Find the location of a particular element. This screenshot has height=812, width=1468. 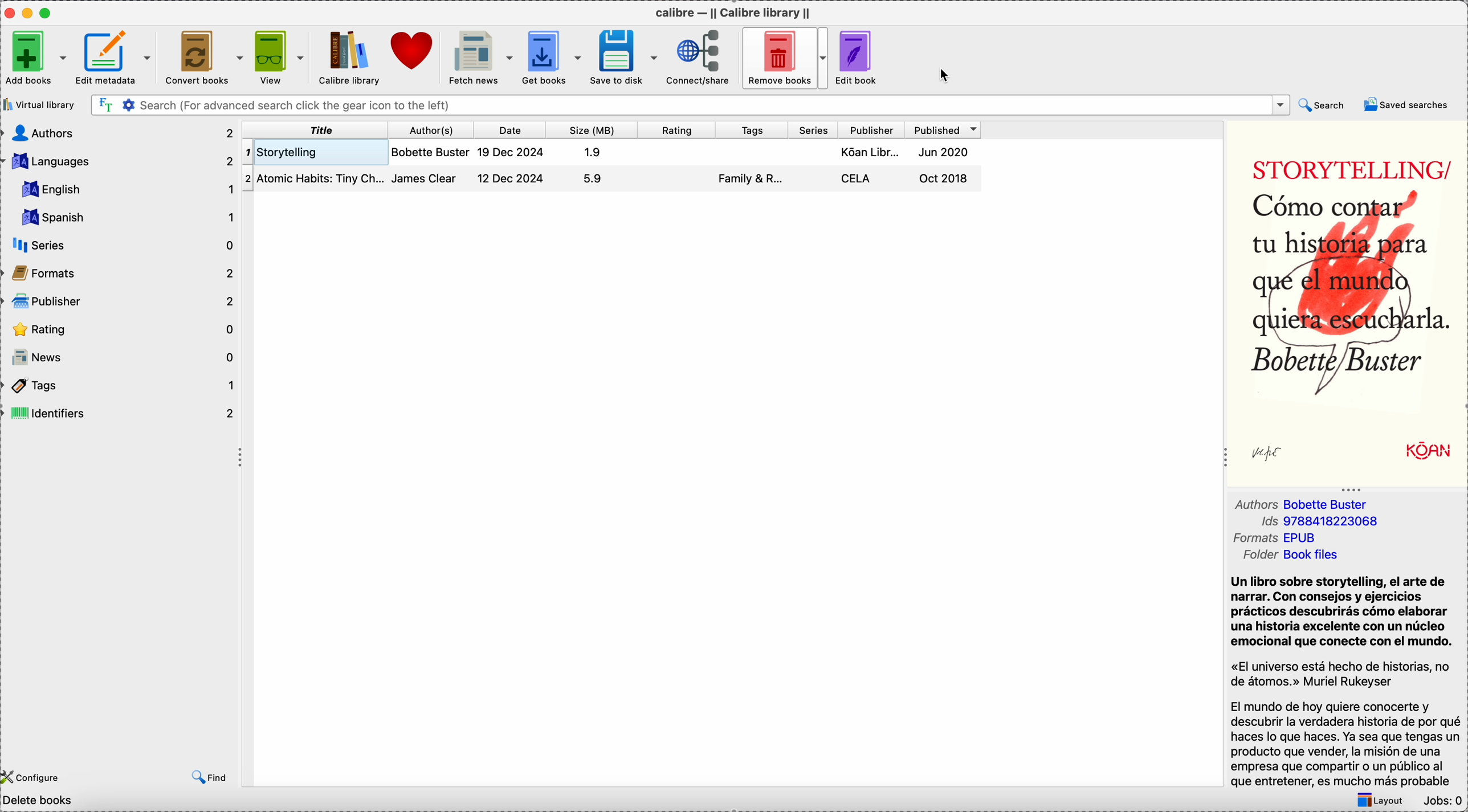

Atomic Habits: Tiny Changes... is located at coordinates (612, 178).